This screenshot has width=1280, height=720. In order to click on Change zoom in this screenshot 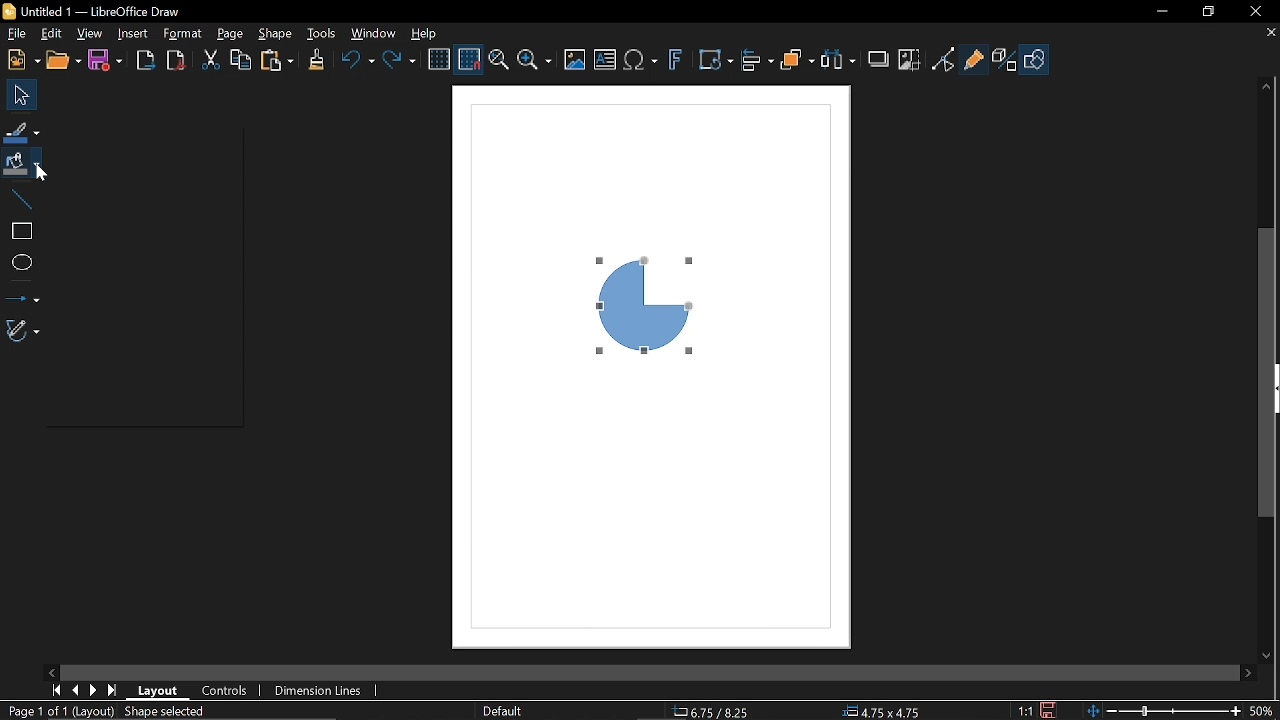, I will do `click(1162, 711)`.